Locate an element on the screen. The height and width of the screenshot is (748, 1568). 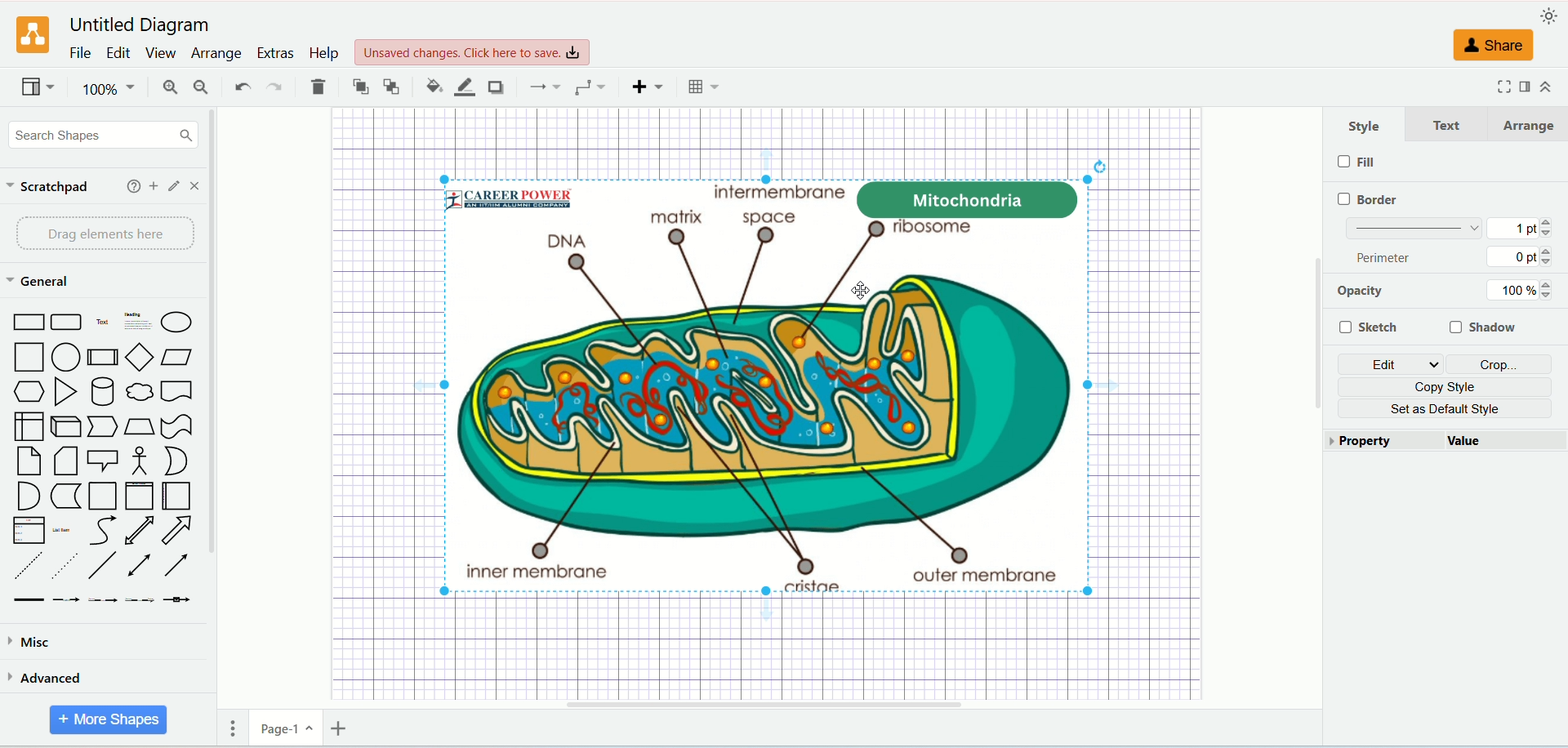
Cube is located at coordinates (68, 427).